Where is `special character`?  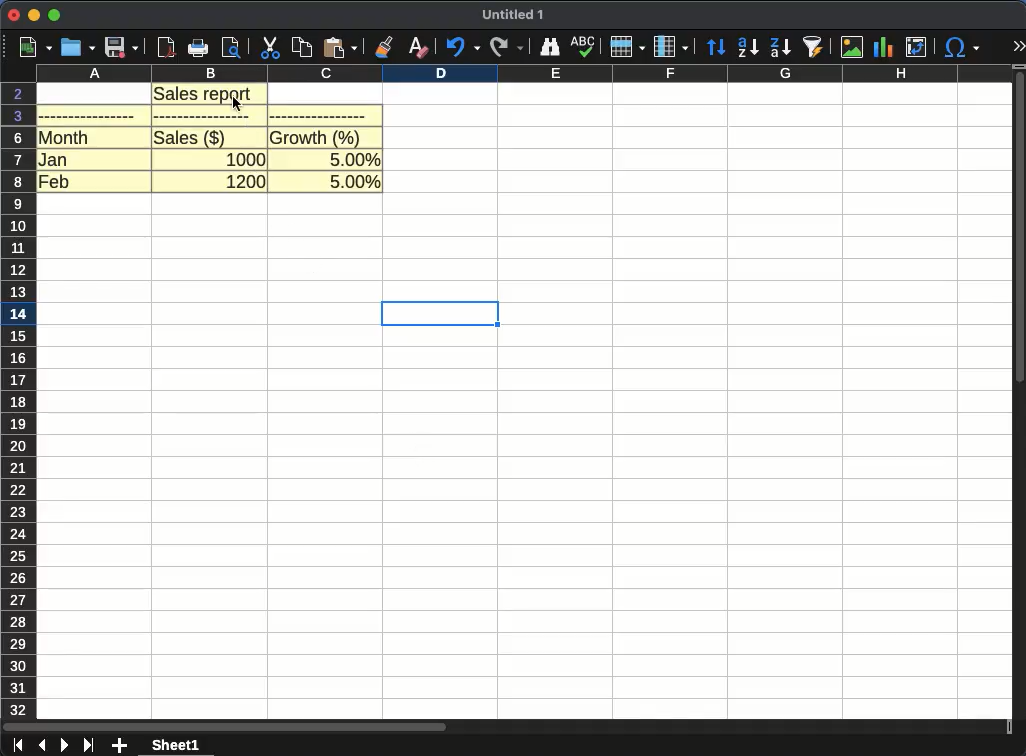 special character is located at coordinates (959, 47).